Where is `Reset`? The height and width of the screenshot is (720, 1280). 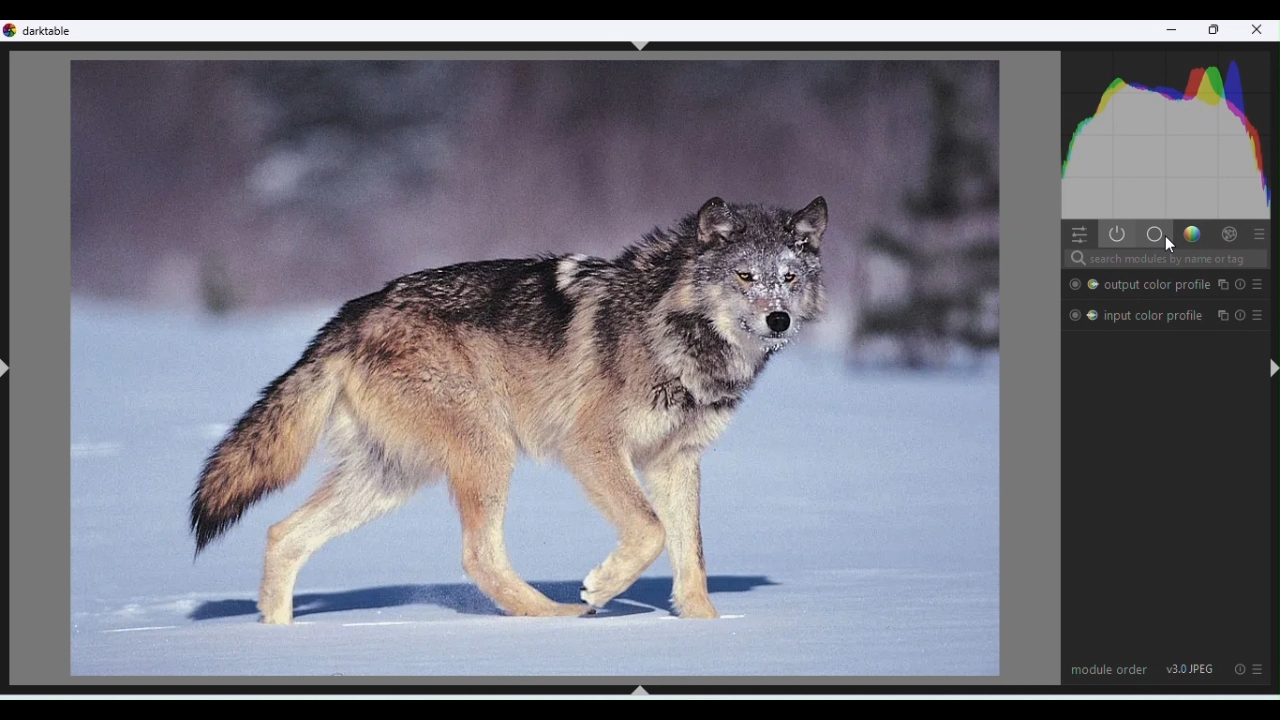
Reset is located at coordinates (1238, 668).